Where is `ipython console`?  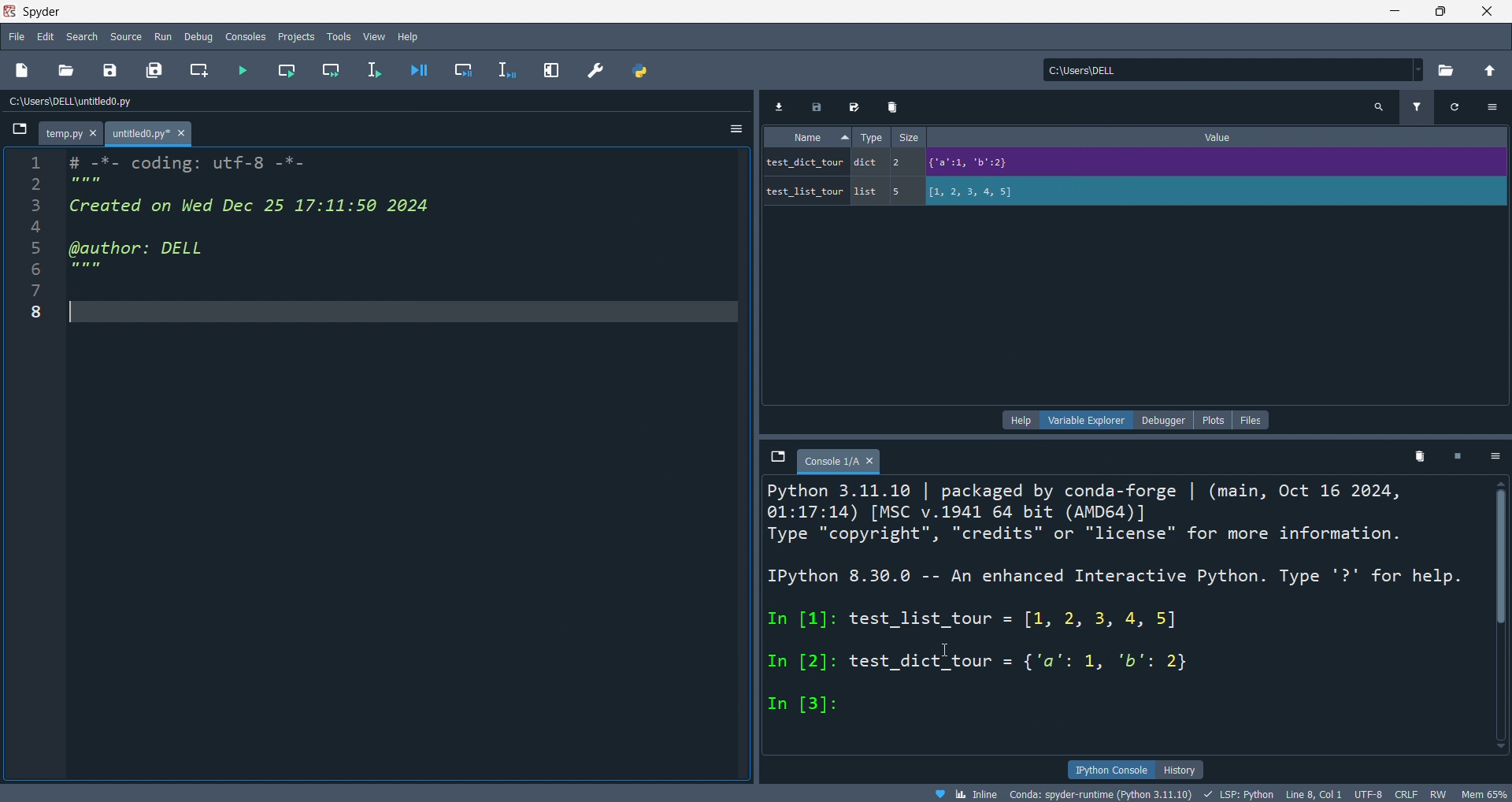
ipython console is located at coordinates (1110, 770).